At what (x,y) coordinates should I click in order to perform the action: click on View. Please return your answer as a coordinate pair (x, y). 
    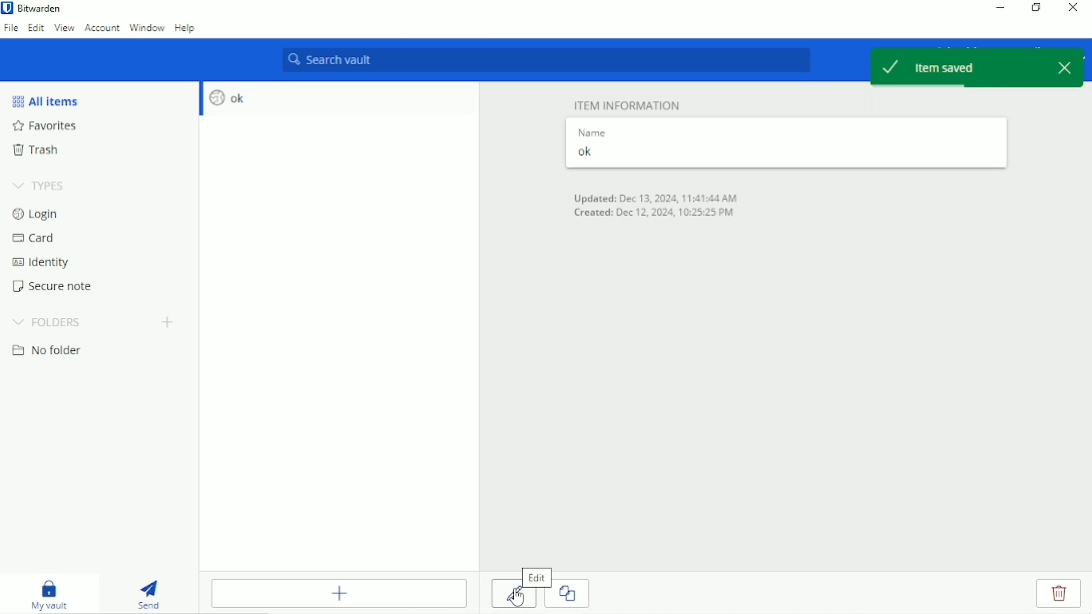
    Looking at the image, I should click on (65, 29).